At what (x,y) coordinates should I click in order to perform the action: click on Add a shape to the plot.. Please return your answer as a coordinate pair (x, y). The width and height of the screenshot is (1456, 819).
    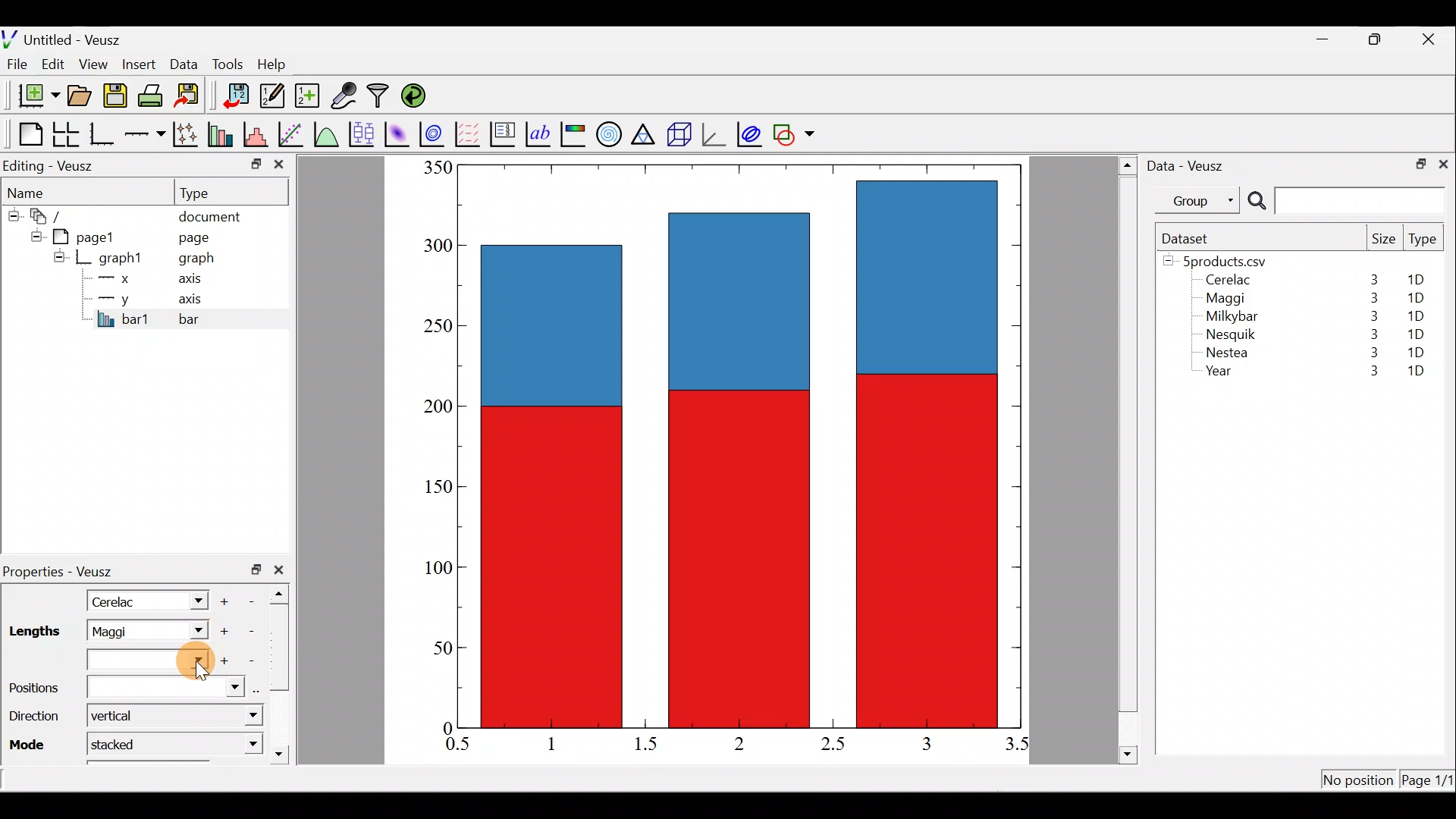
    Looking at the image, I should click on (795, 132).